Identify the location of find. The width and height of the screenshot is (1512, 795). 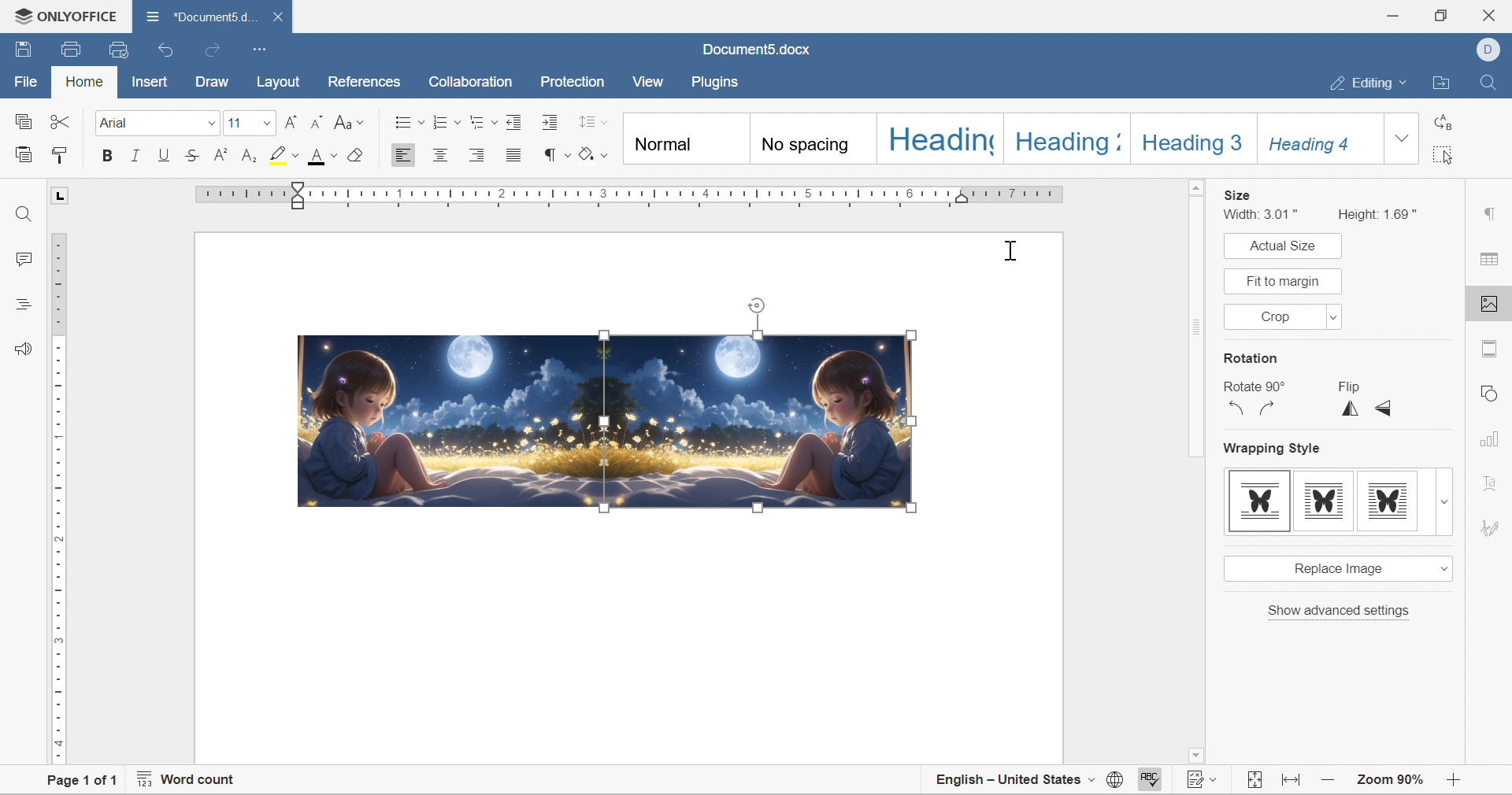
(24, 216).